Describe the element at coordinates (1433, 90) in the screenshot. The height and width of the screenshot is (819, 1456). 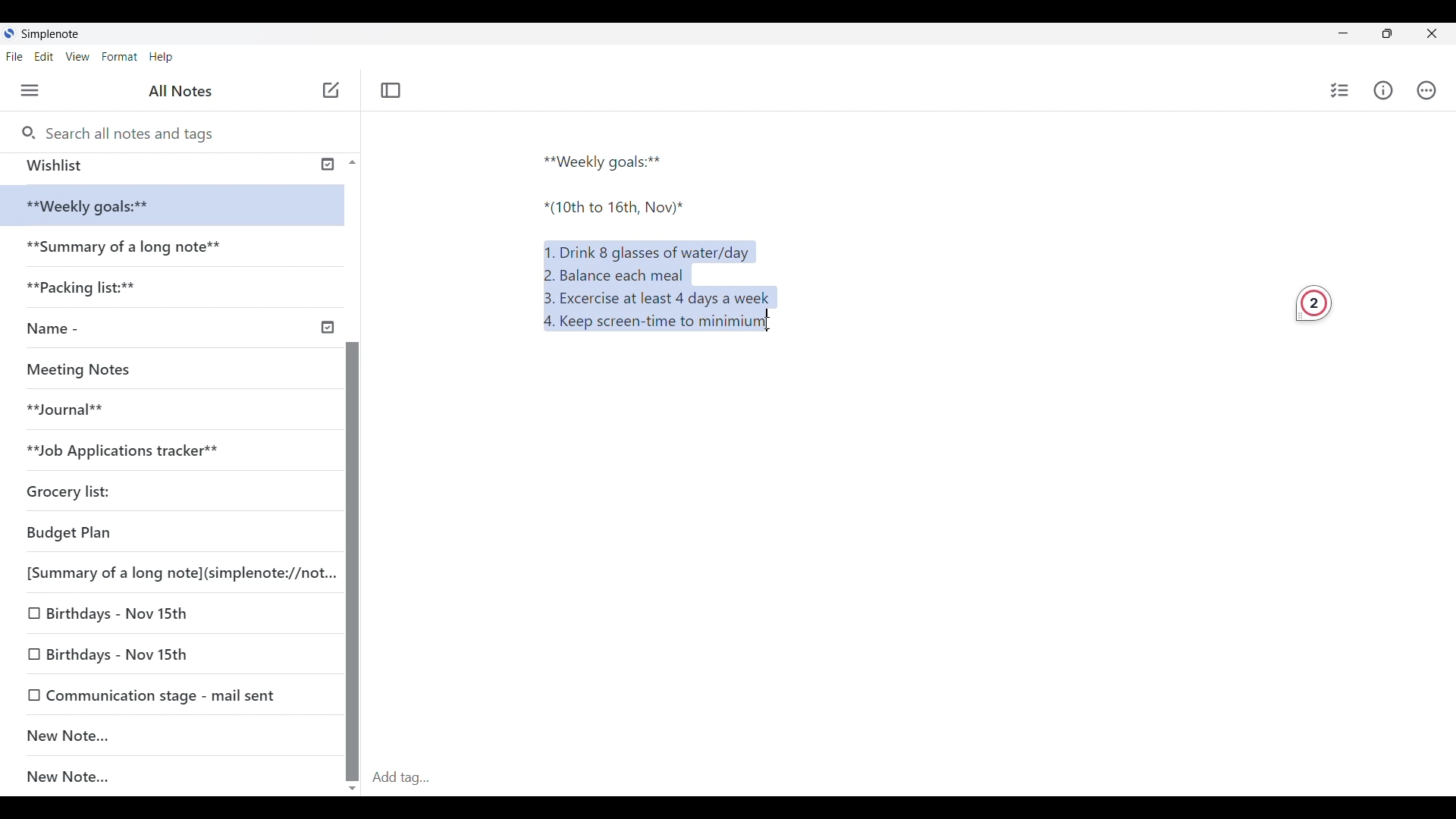
I see `Actions` at that location.